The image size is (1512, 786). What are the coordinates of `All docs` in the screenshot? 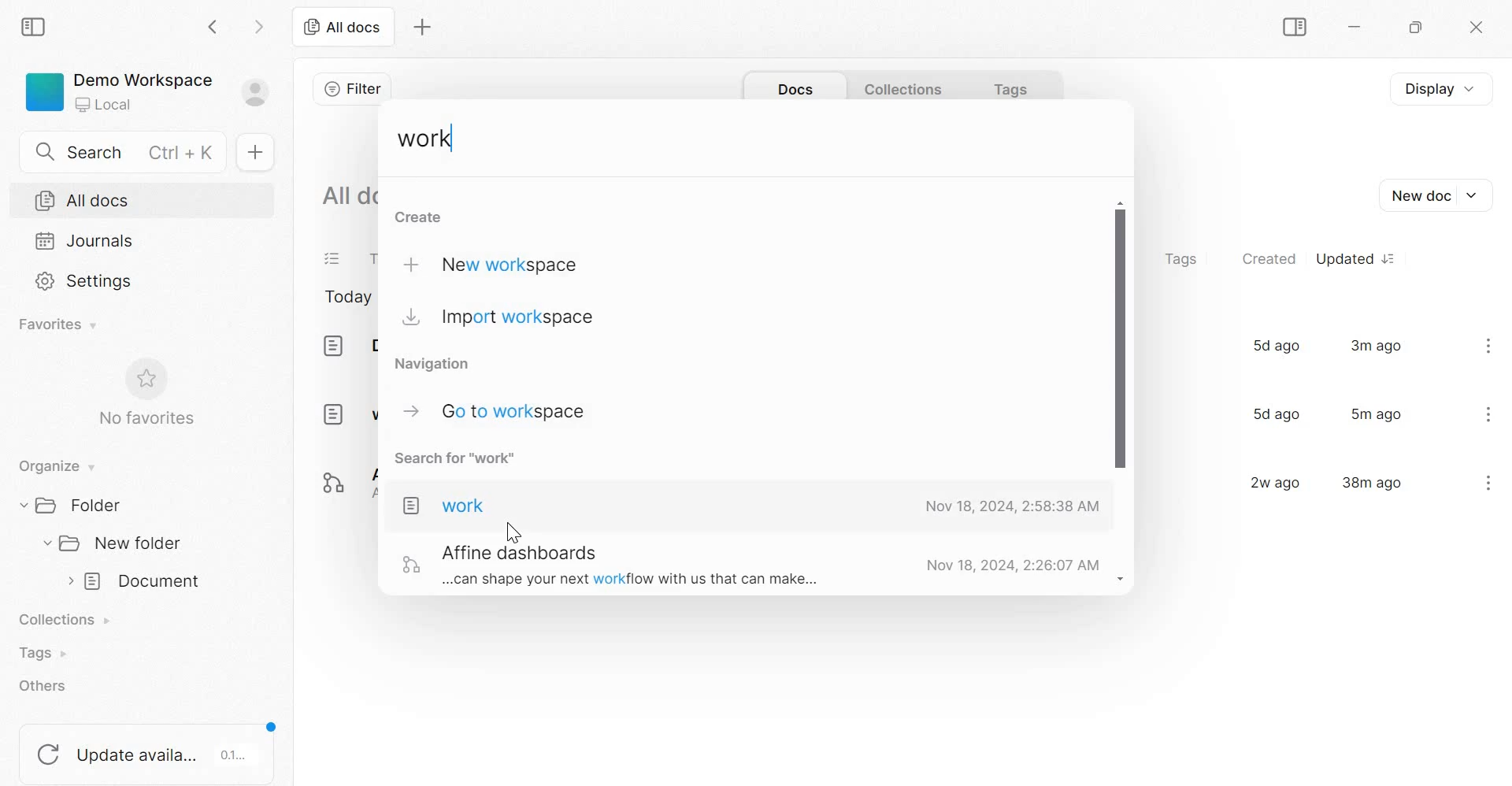 It's located at (83, 201).